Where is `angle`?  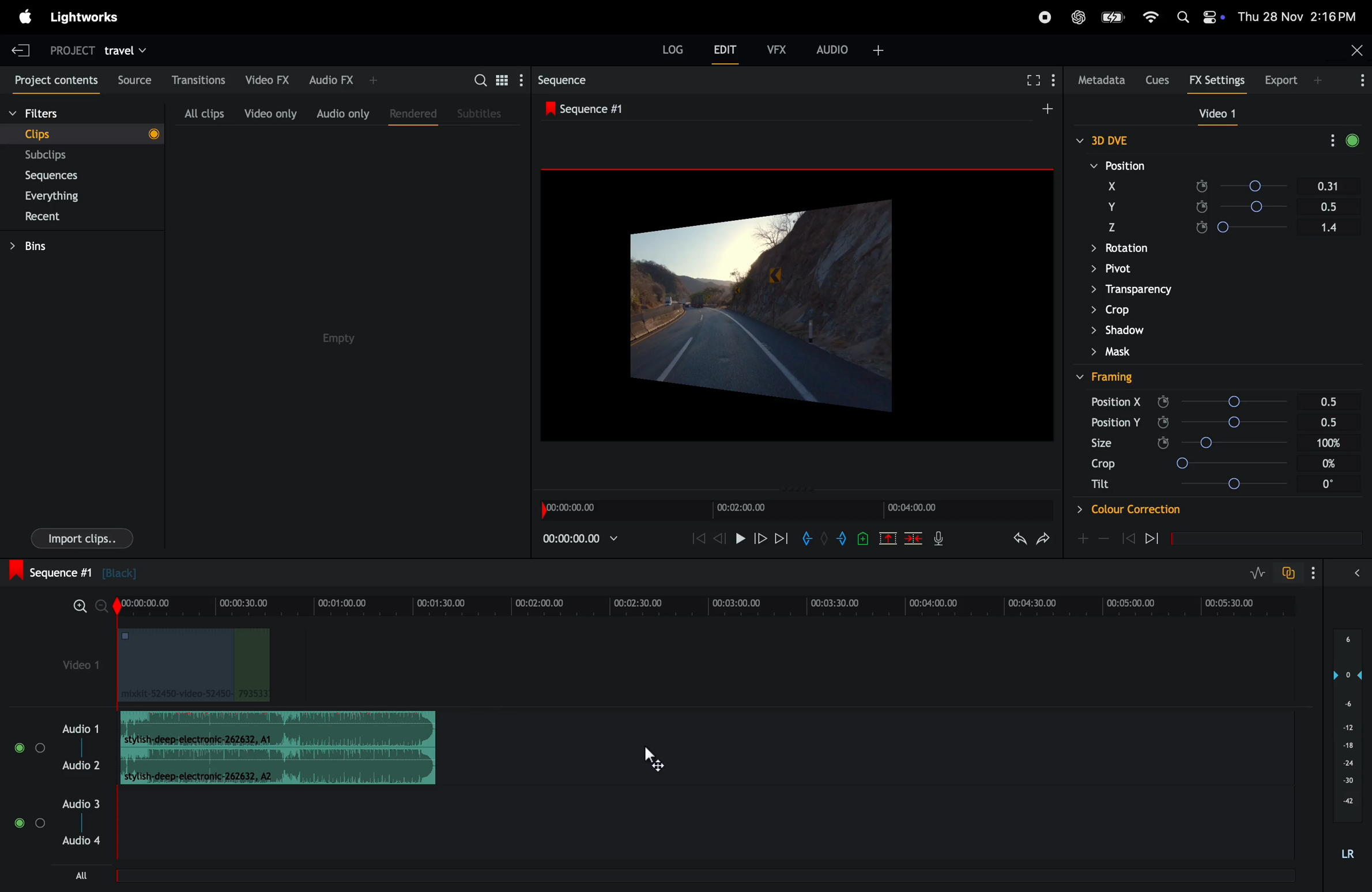 angle is located at coordinates (1254, 207).